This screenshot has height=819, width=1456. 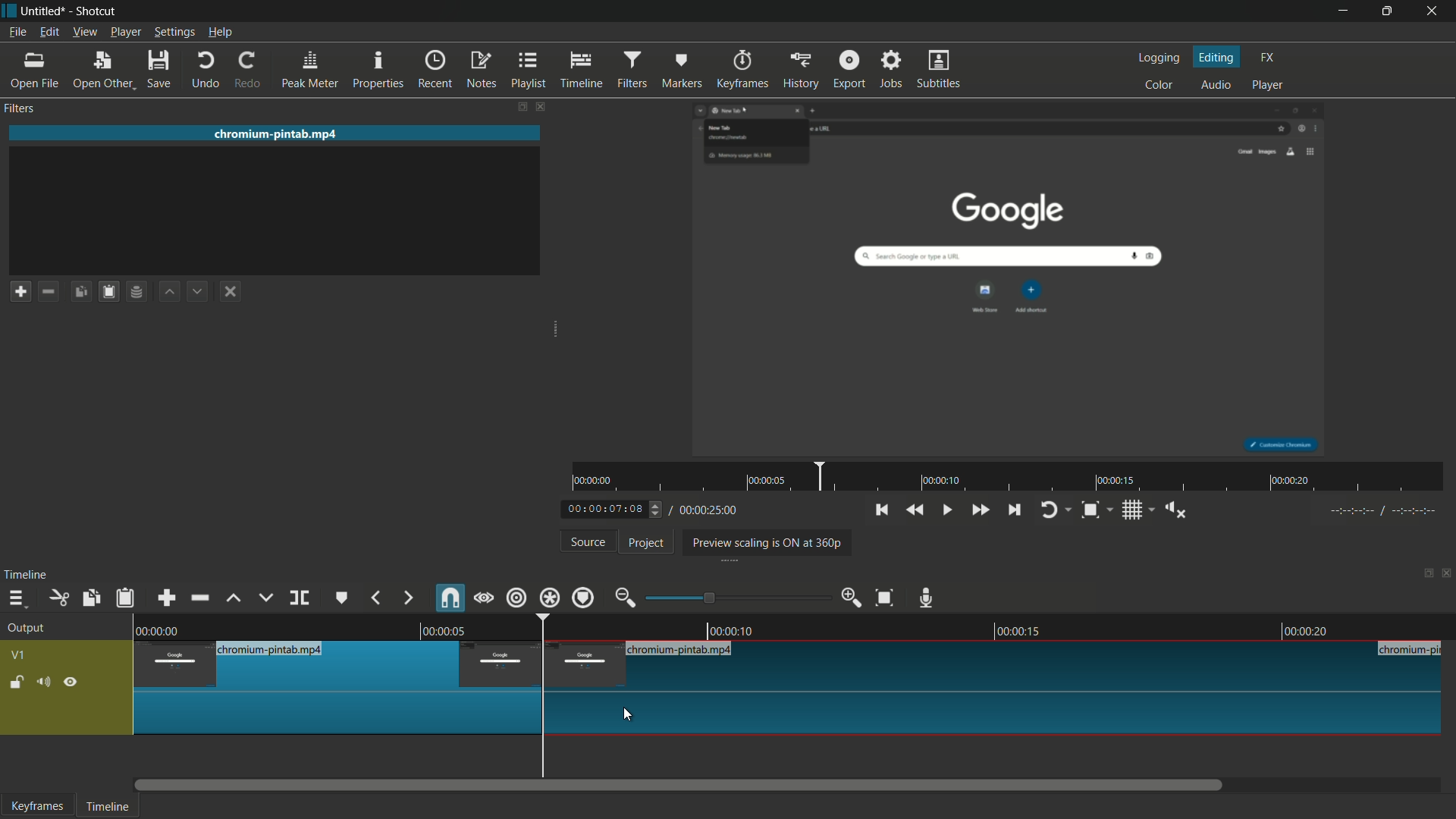 I want to click on copy checked filters, so click(x=81, y=291).